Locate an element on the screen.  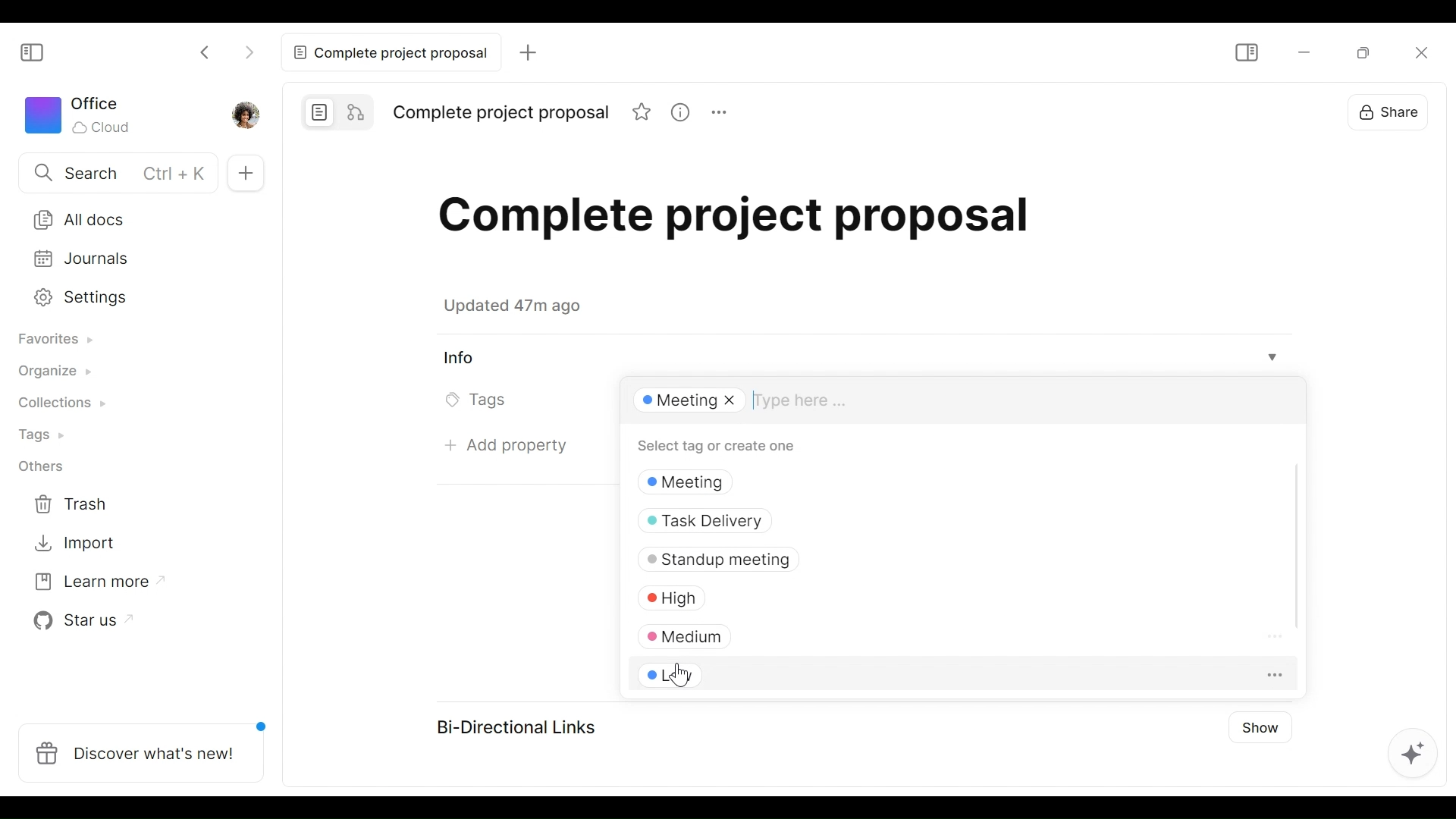
more is located at coordinates (1273, 676).